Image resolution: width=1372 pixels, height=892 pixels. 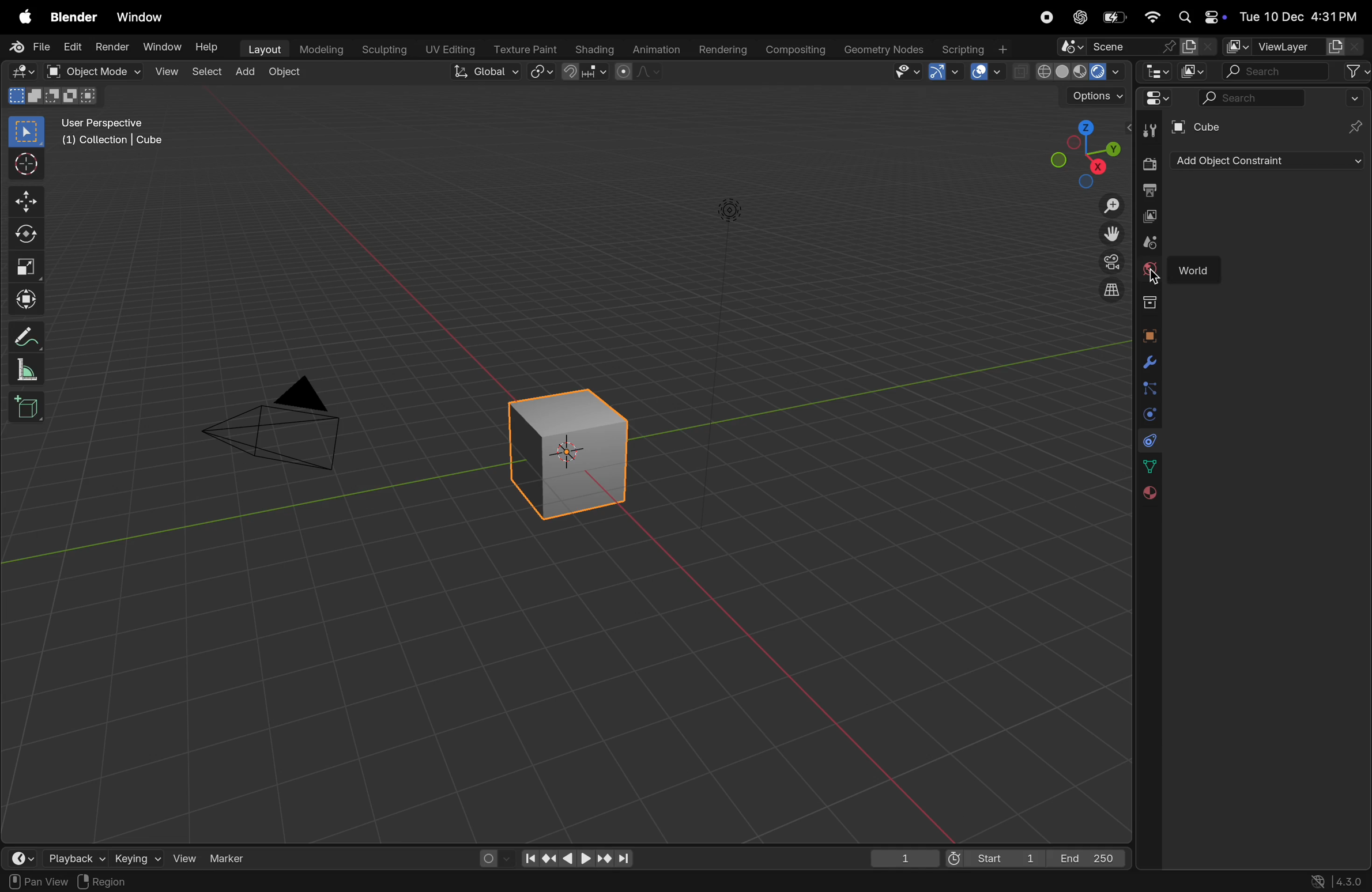 I want to click on mode, so click(x=51, y=97).